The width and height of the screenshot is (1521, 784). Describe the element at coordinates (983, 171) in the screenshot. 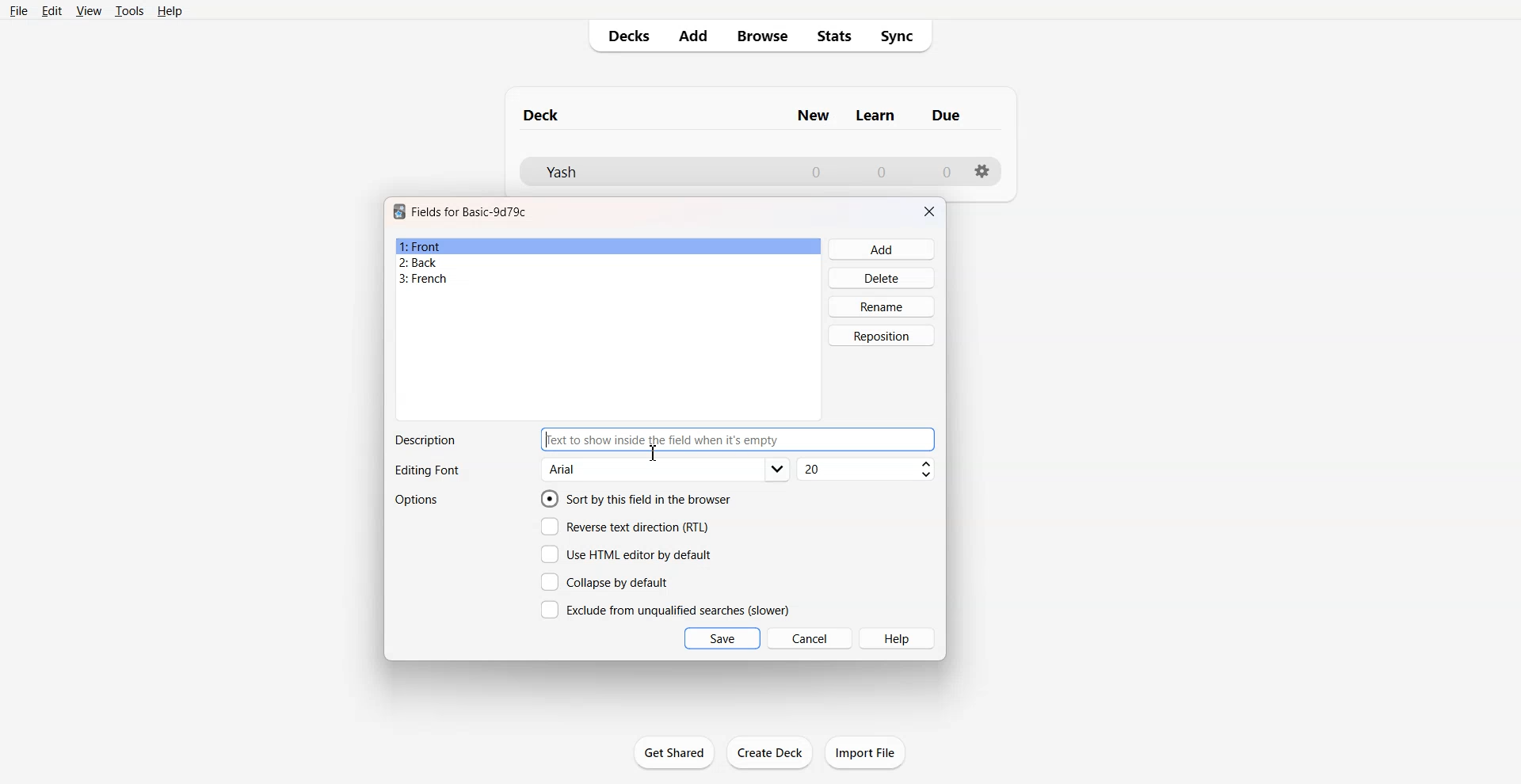

I see `Settings` at that location.